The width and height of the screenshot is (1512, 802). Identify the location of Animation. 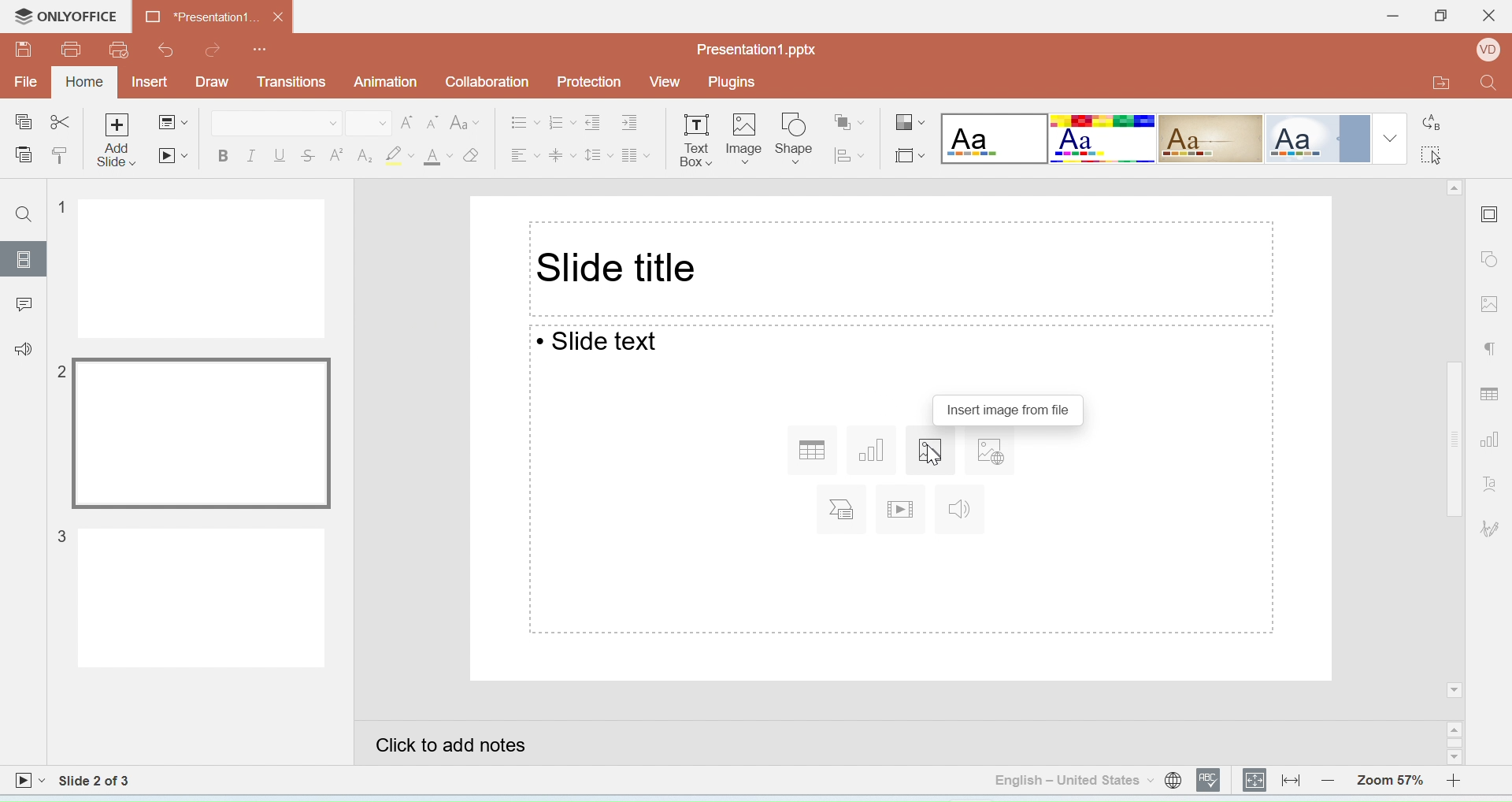
(387, 82).